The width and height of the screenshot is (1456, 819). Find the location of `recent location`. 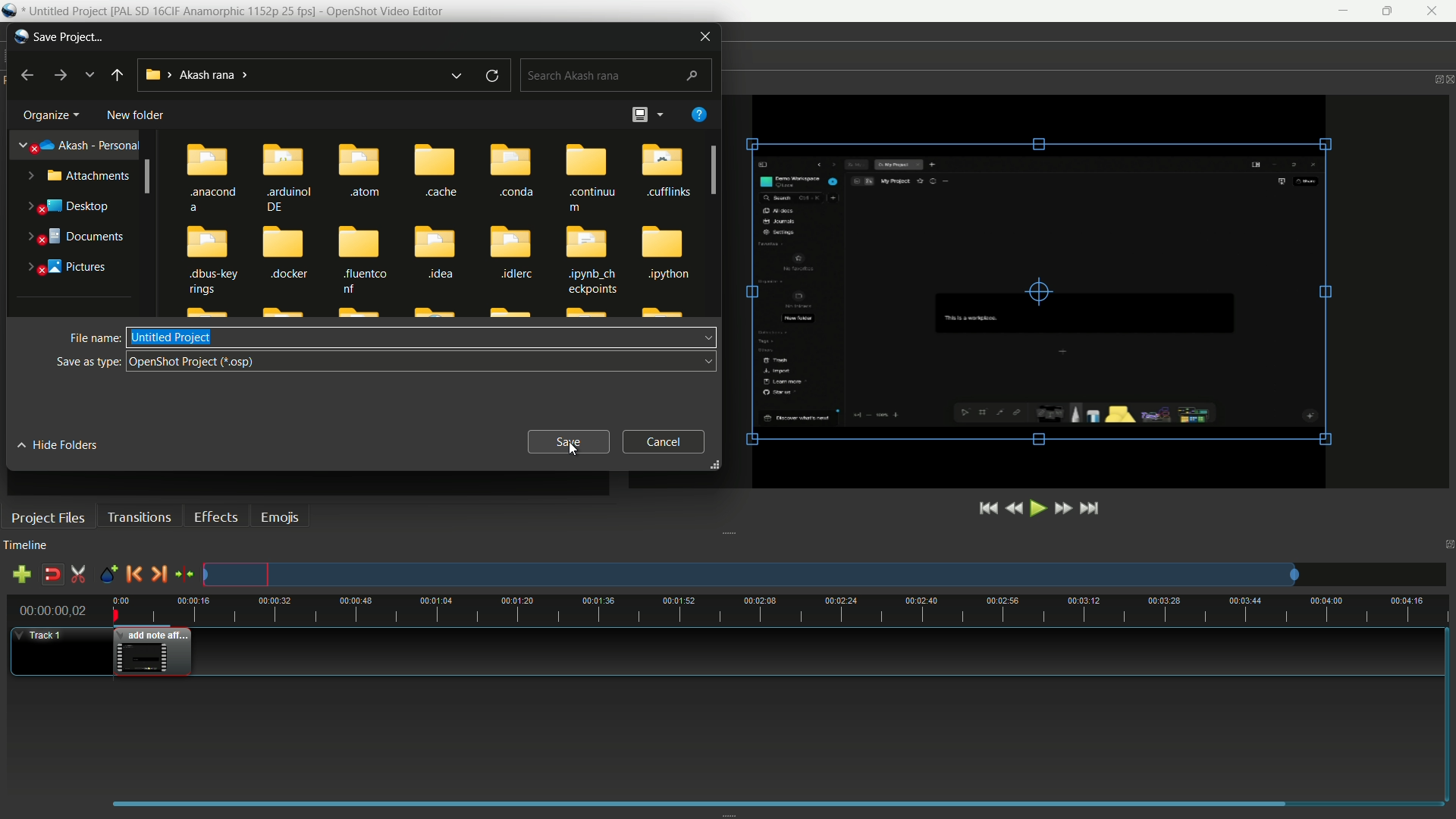

recent location is located at coordinates (89, 75).